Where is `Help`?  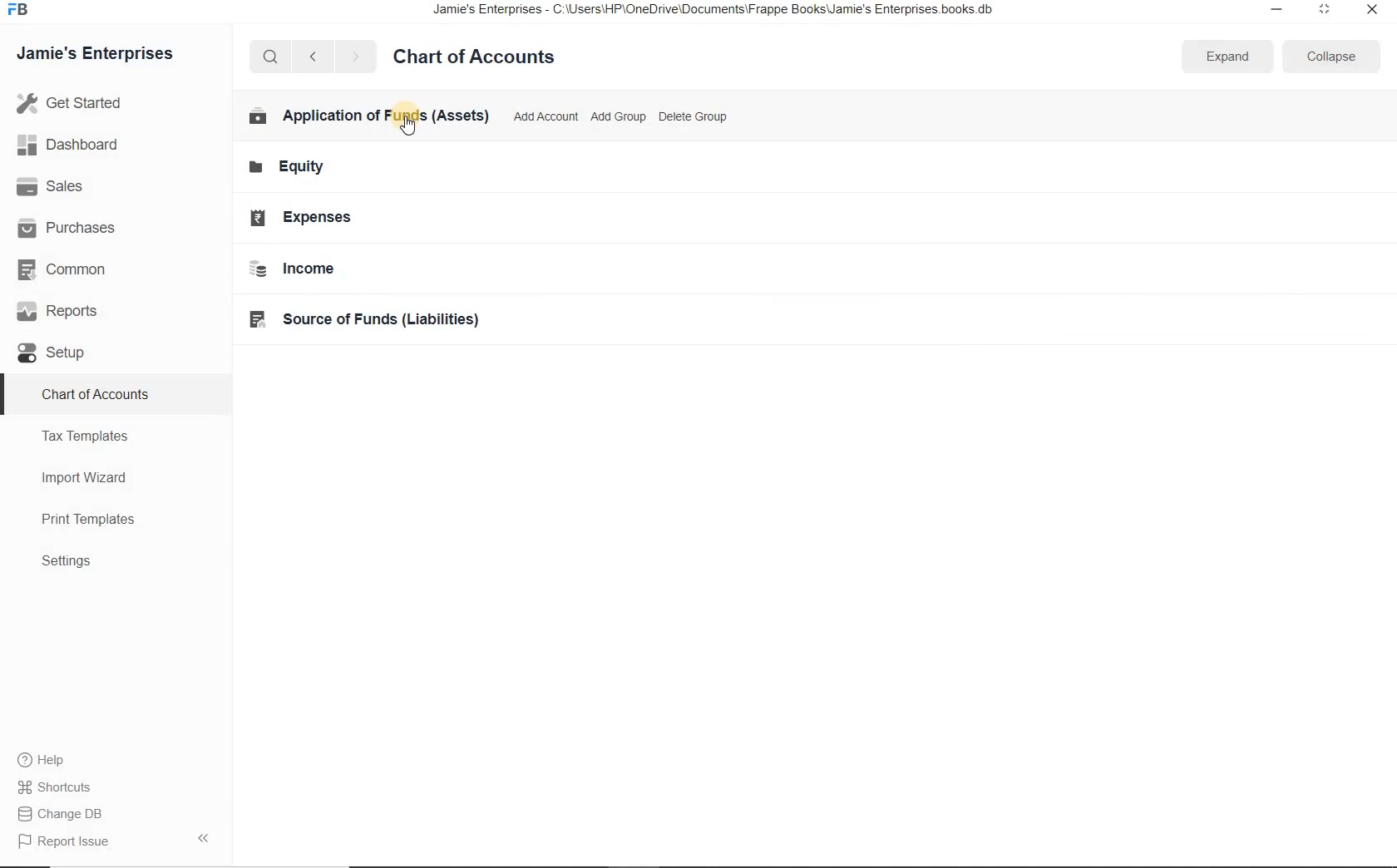
Help is located at coordinates (50, 762).